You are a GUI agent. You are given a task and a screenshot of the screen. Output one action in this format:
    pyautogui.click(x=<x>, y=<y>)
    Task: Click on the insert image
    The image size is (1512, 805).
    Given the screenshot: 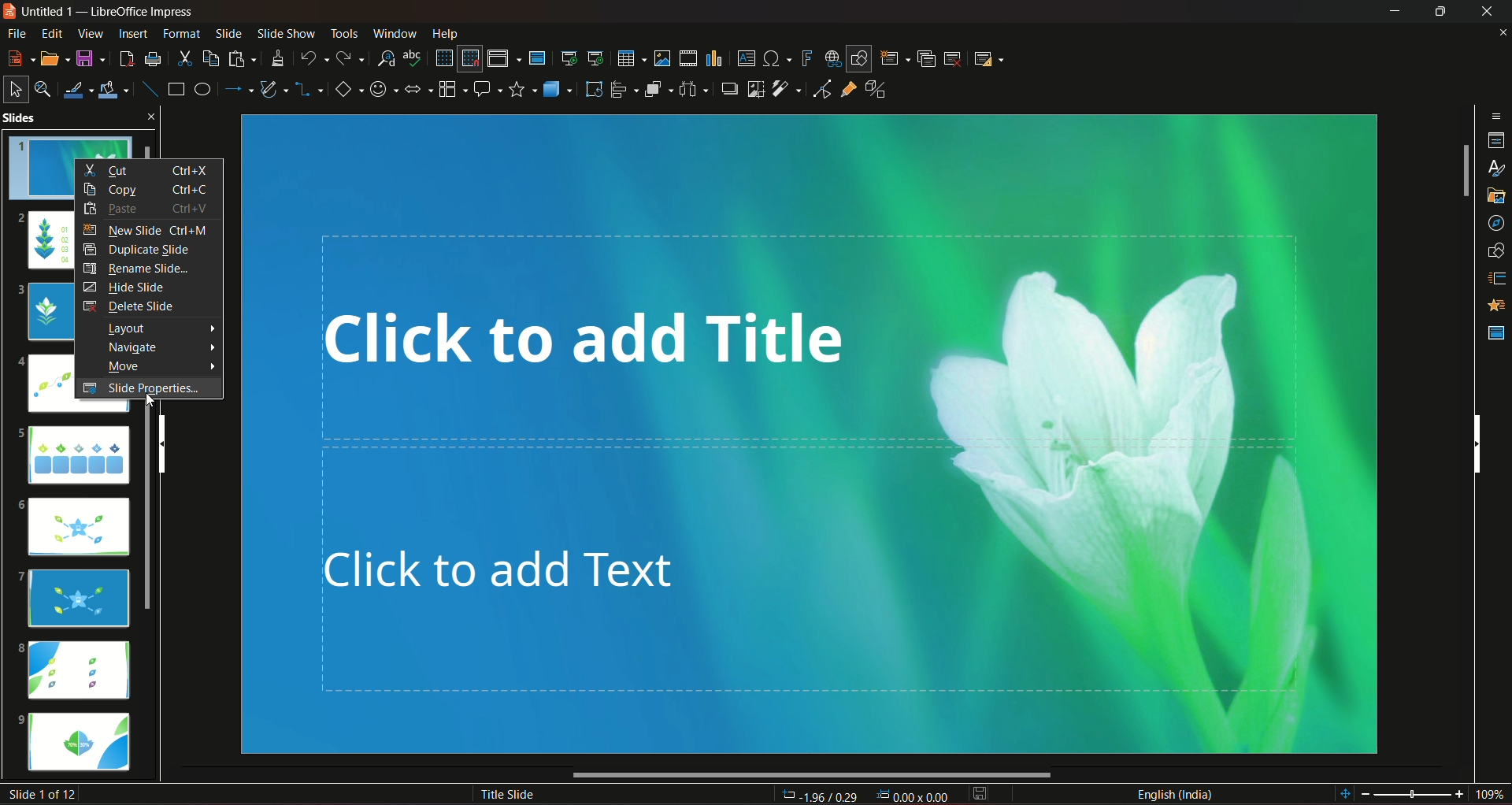 What is the action you would take?
    pyautogui.click(x=661, y=58)
    